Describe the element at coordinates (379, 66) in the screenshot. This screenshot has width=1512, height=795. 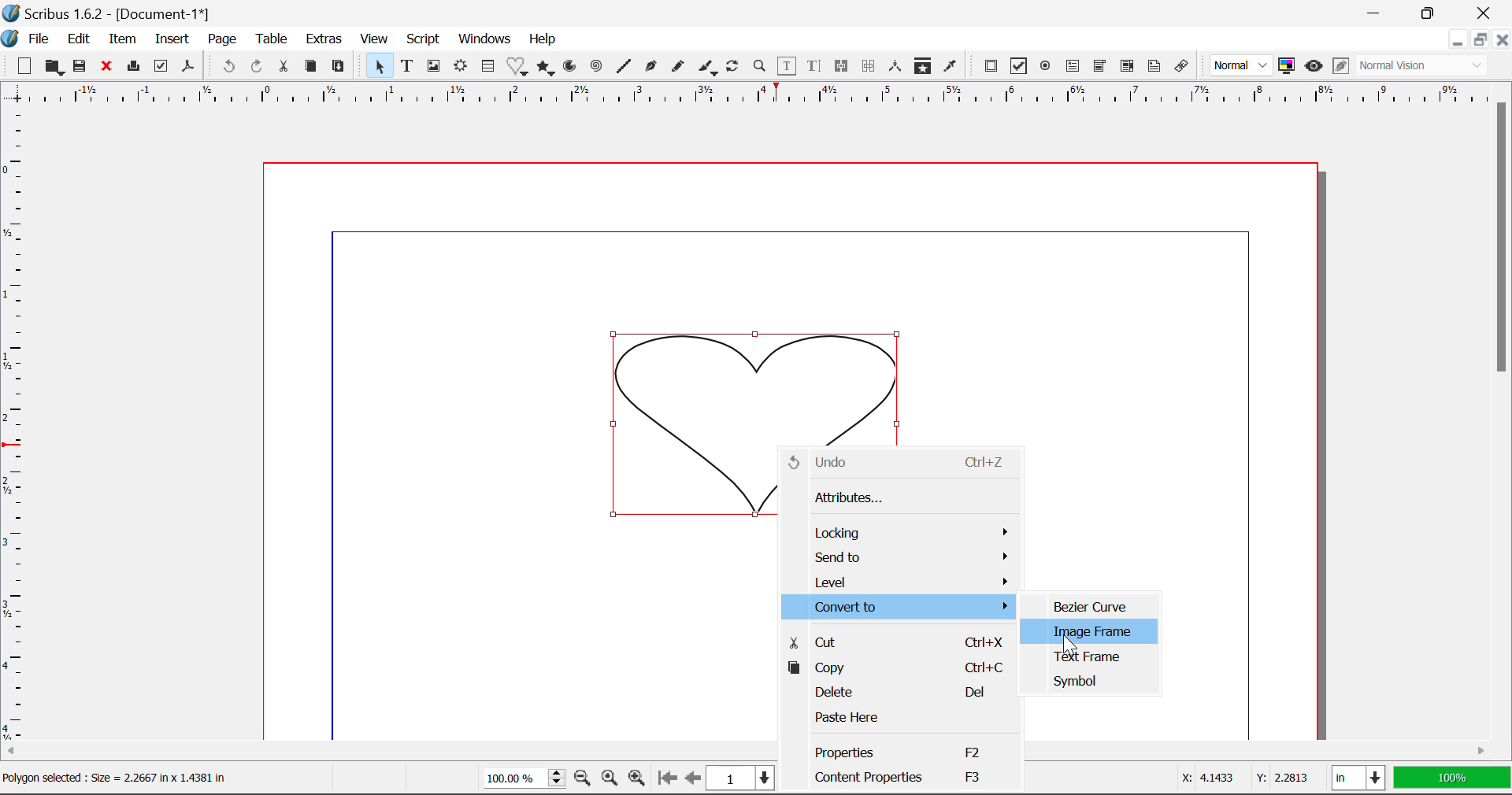
I see `Select` at that location.